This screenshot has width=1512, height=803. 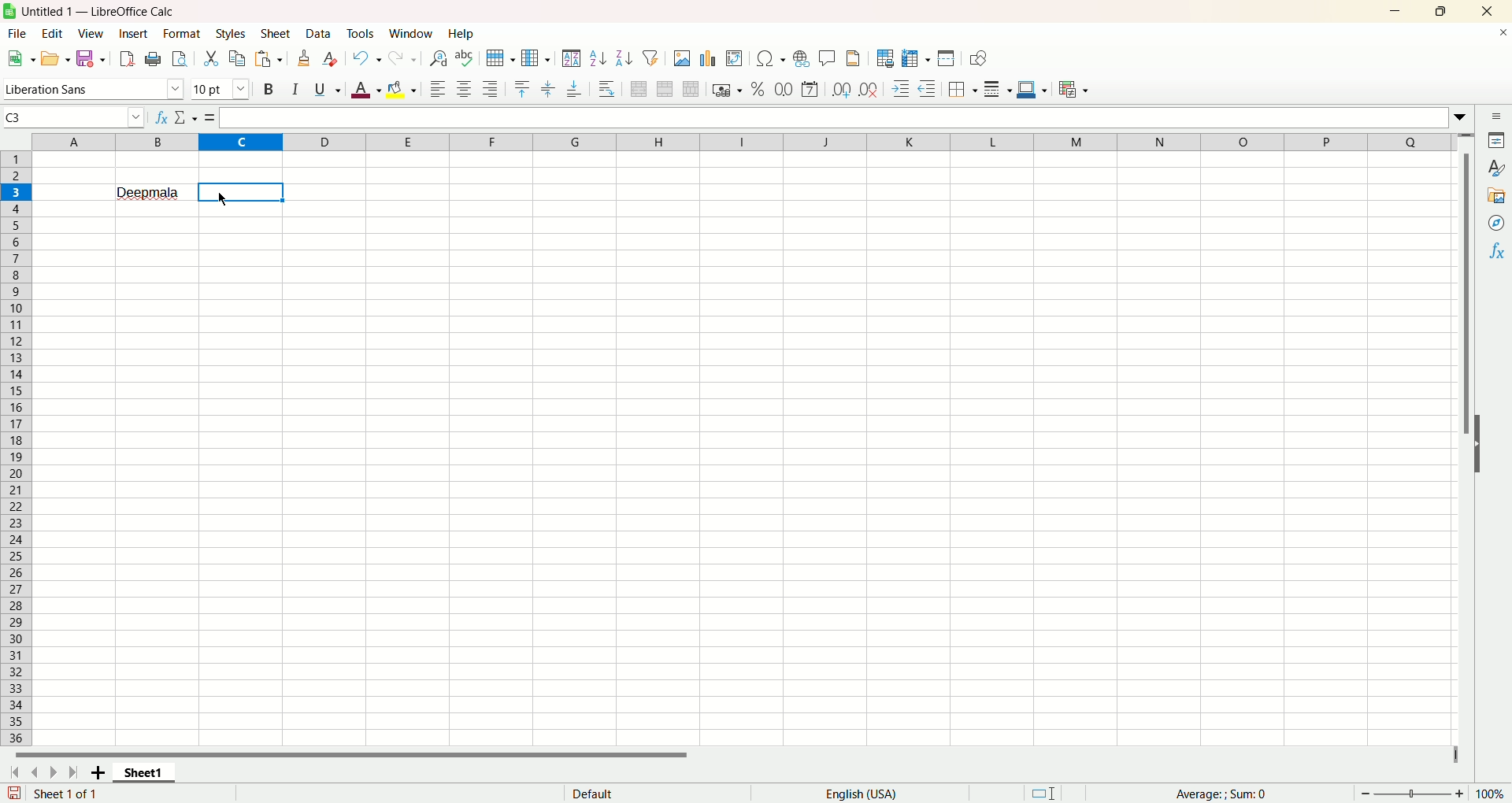 What do you see at coordinates (231, 34) in the screenshot?
I see `Styles` at bounding box center [231, 34].